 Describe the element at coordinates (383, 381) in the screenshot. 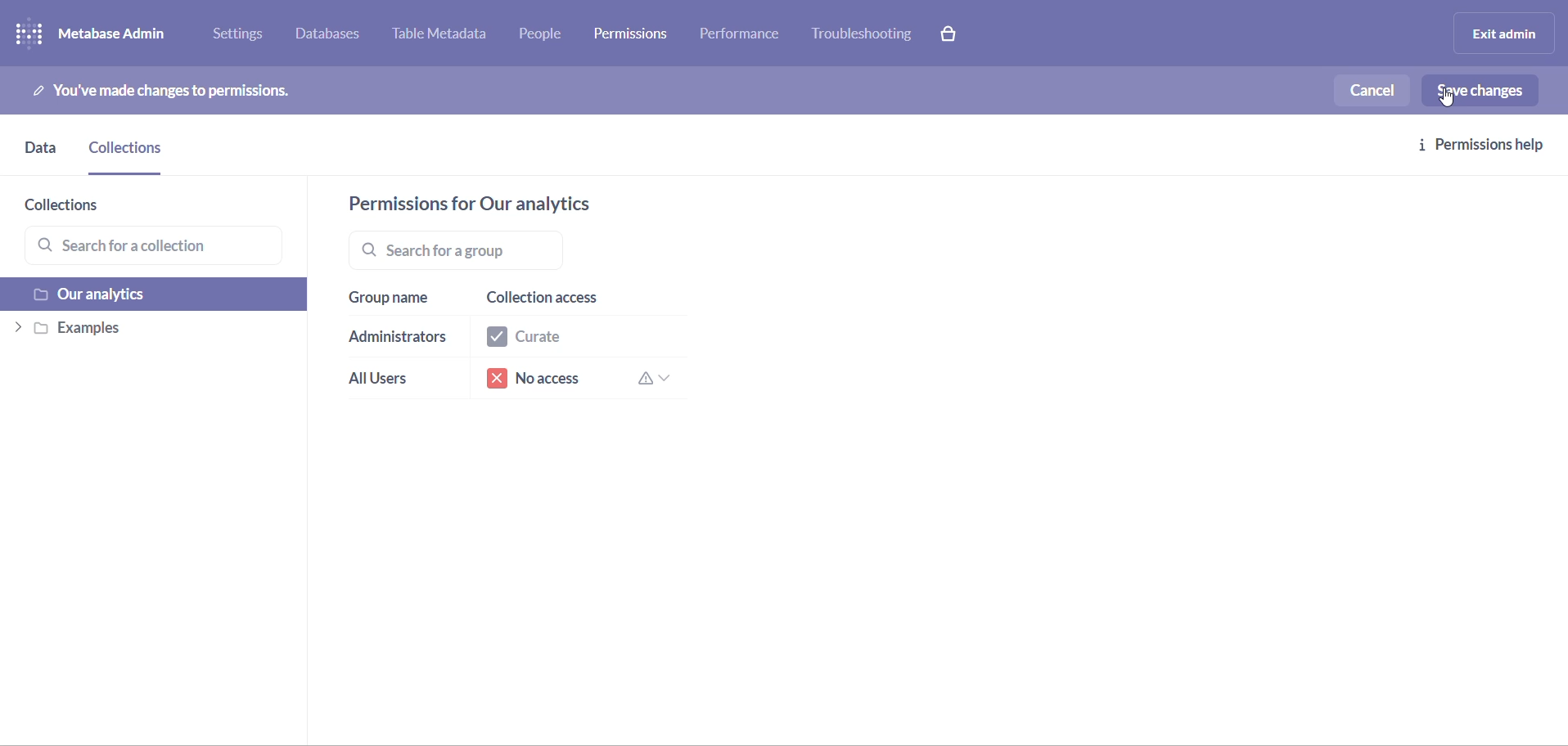

I see `all users group` at that location.